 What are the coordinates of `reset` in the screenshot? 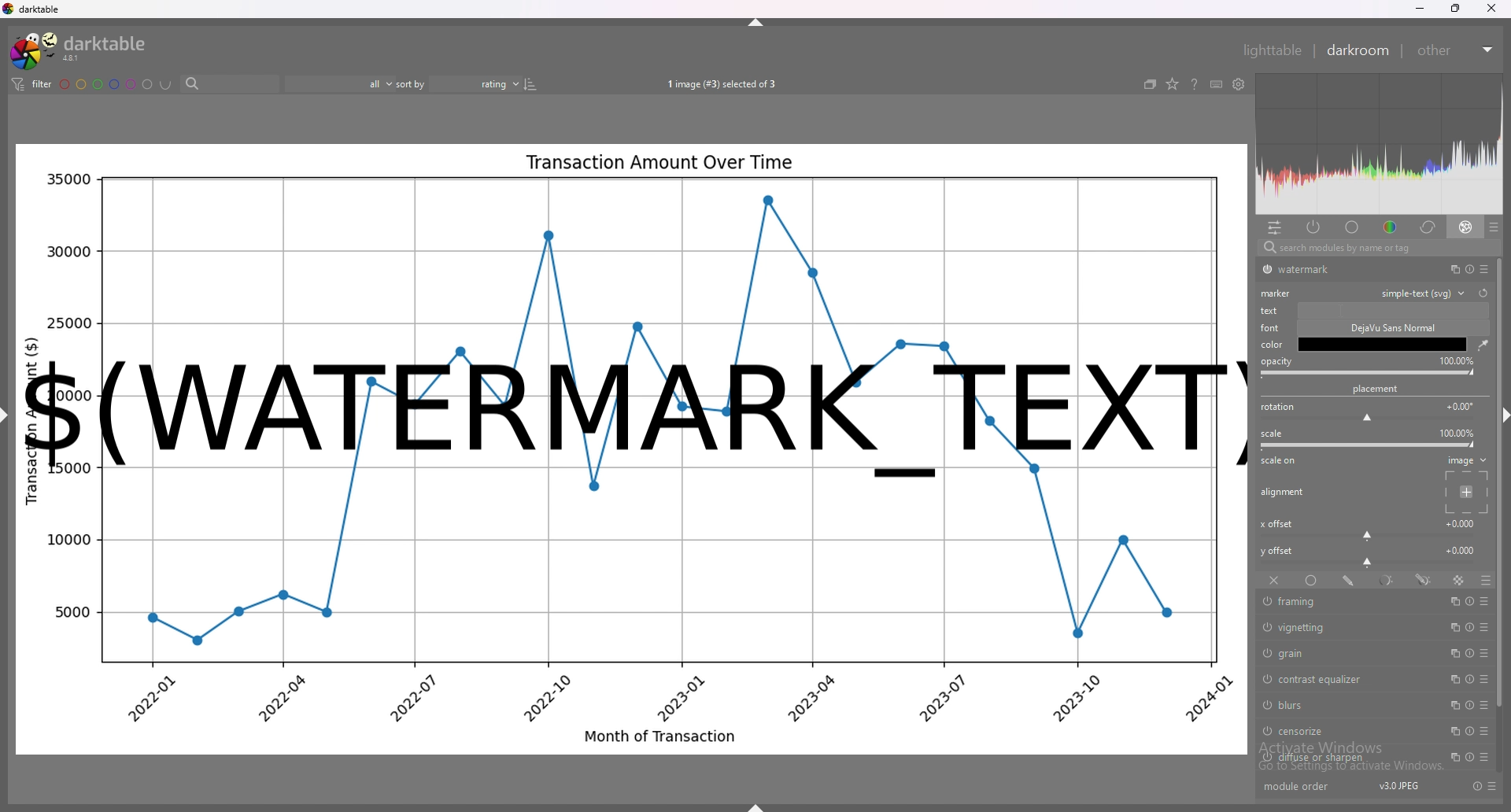 It's located at (1469, 706).